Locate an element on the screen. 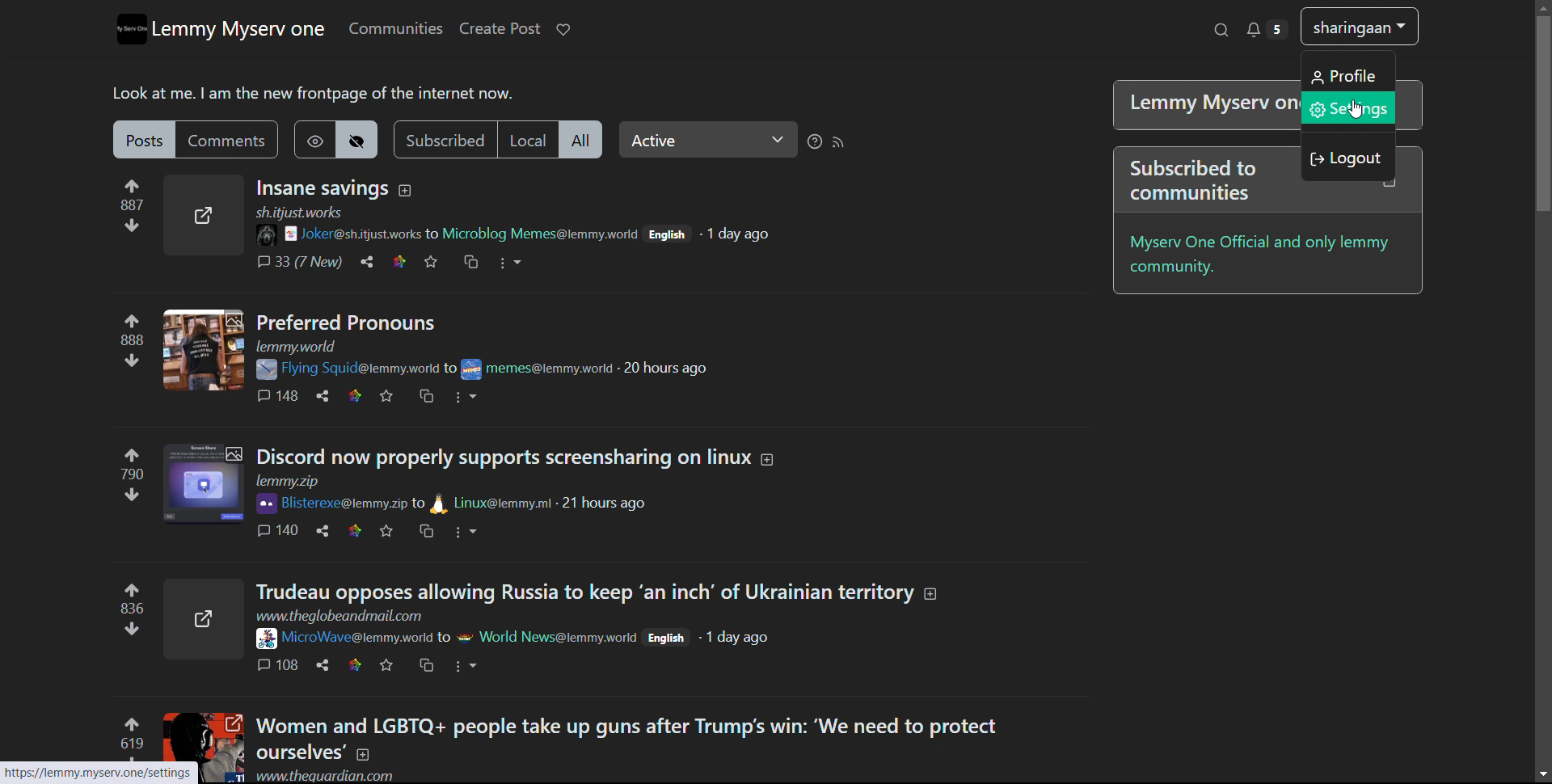 The width and height of the screenshot is (1552, 784). share is located at coordinates (324, 530).